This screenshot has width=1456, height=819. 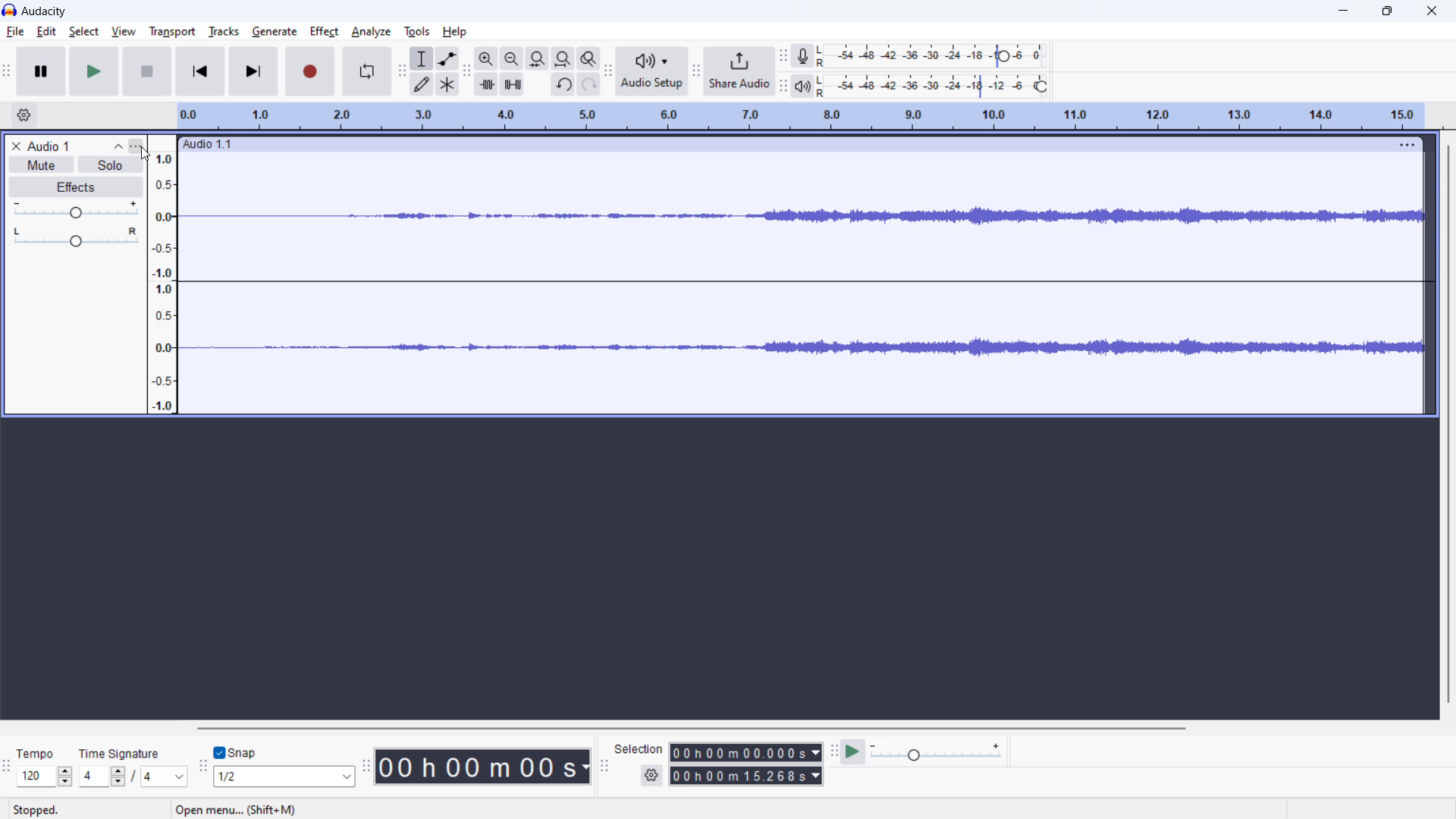 What do you see at coordinates (310, 71) in the screenshot?
I see `record` at bounding box center [310, 71].